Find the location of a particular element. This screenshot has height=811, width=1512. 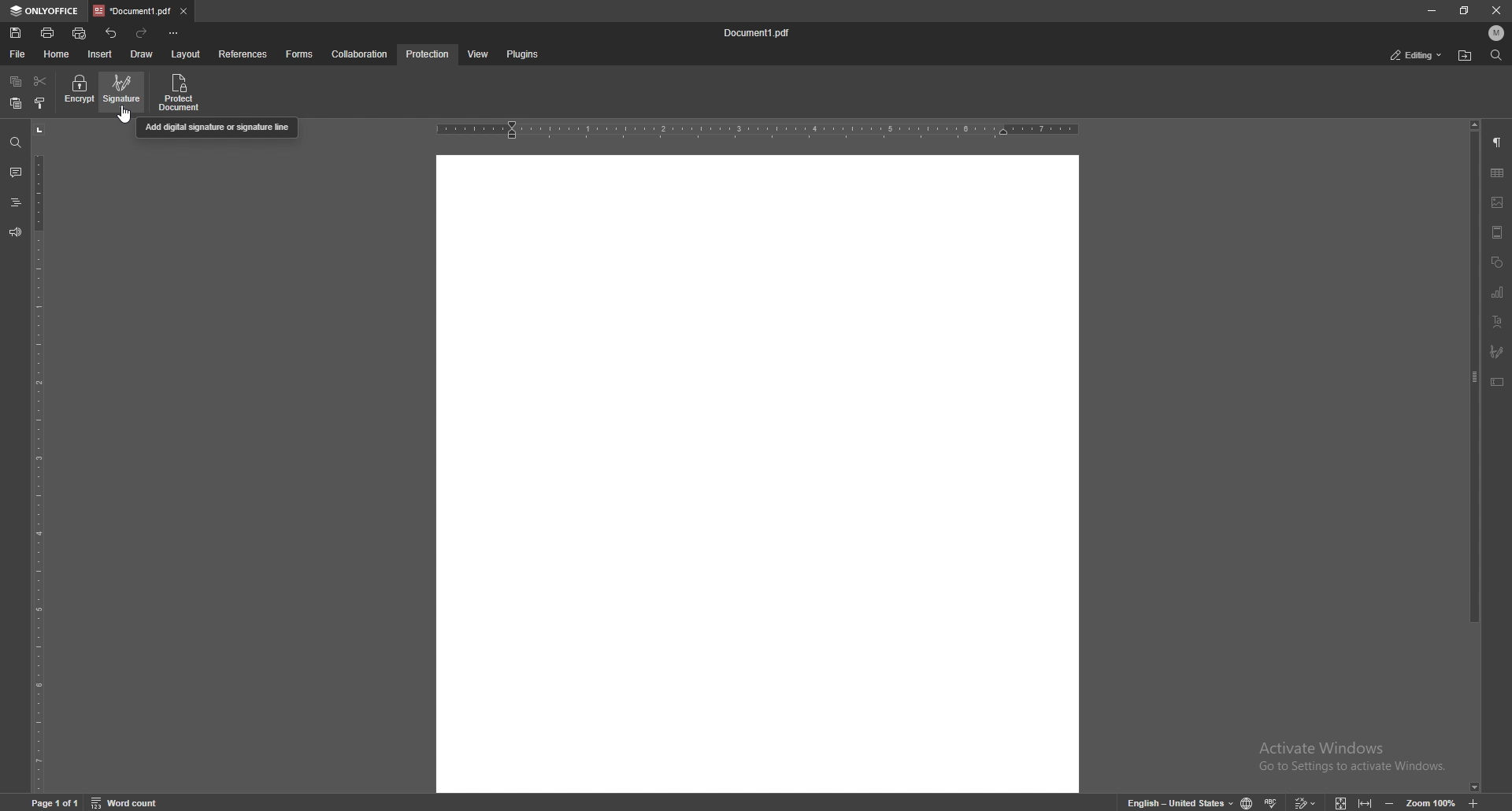

comment is located at coordinates (13, 172).